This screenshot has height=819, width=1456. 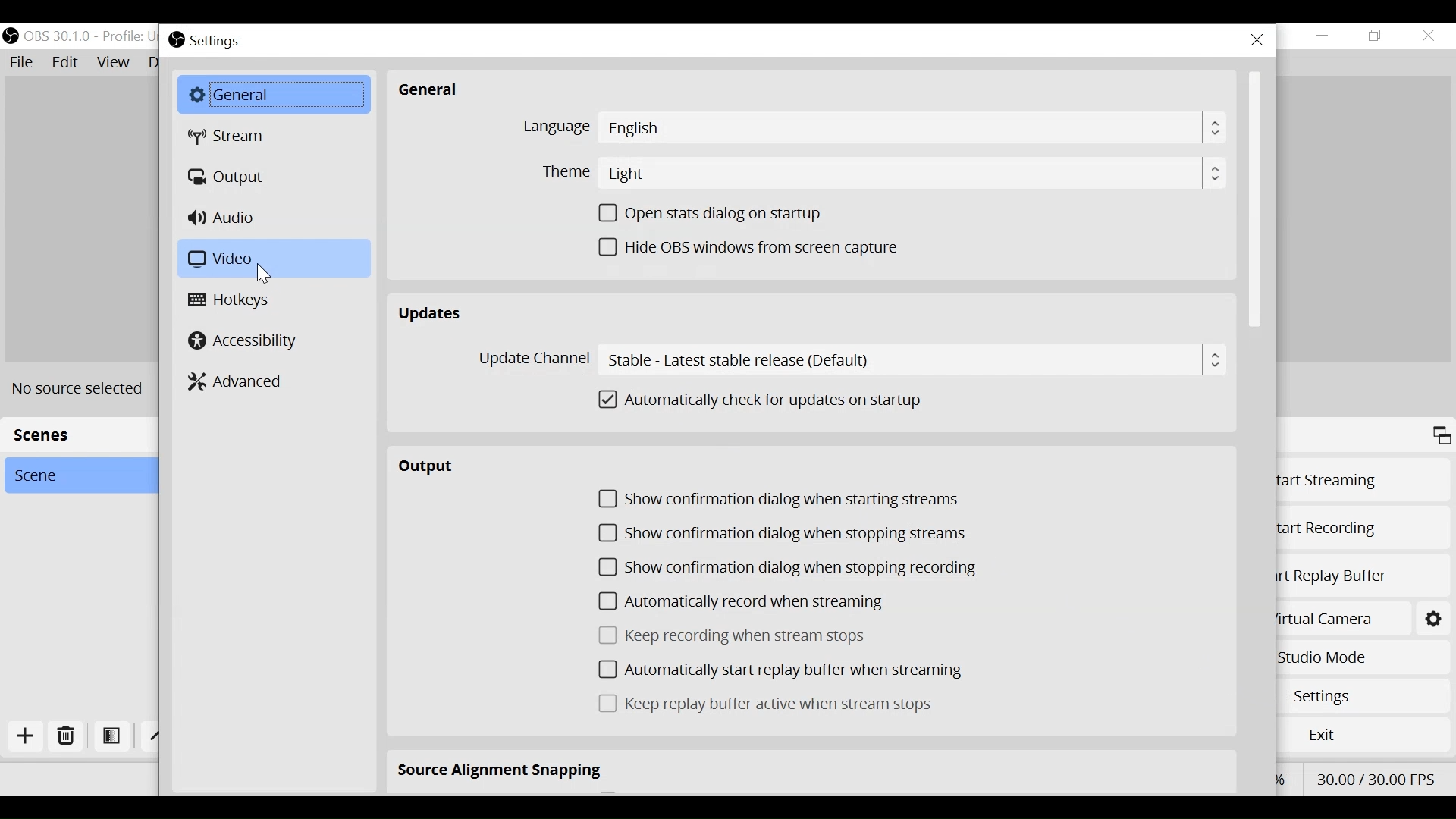 I want to click on Source Alignment Snapping, so click(x=500, y=771).